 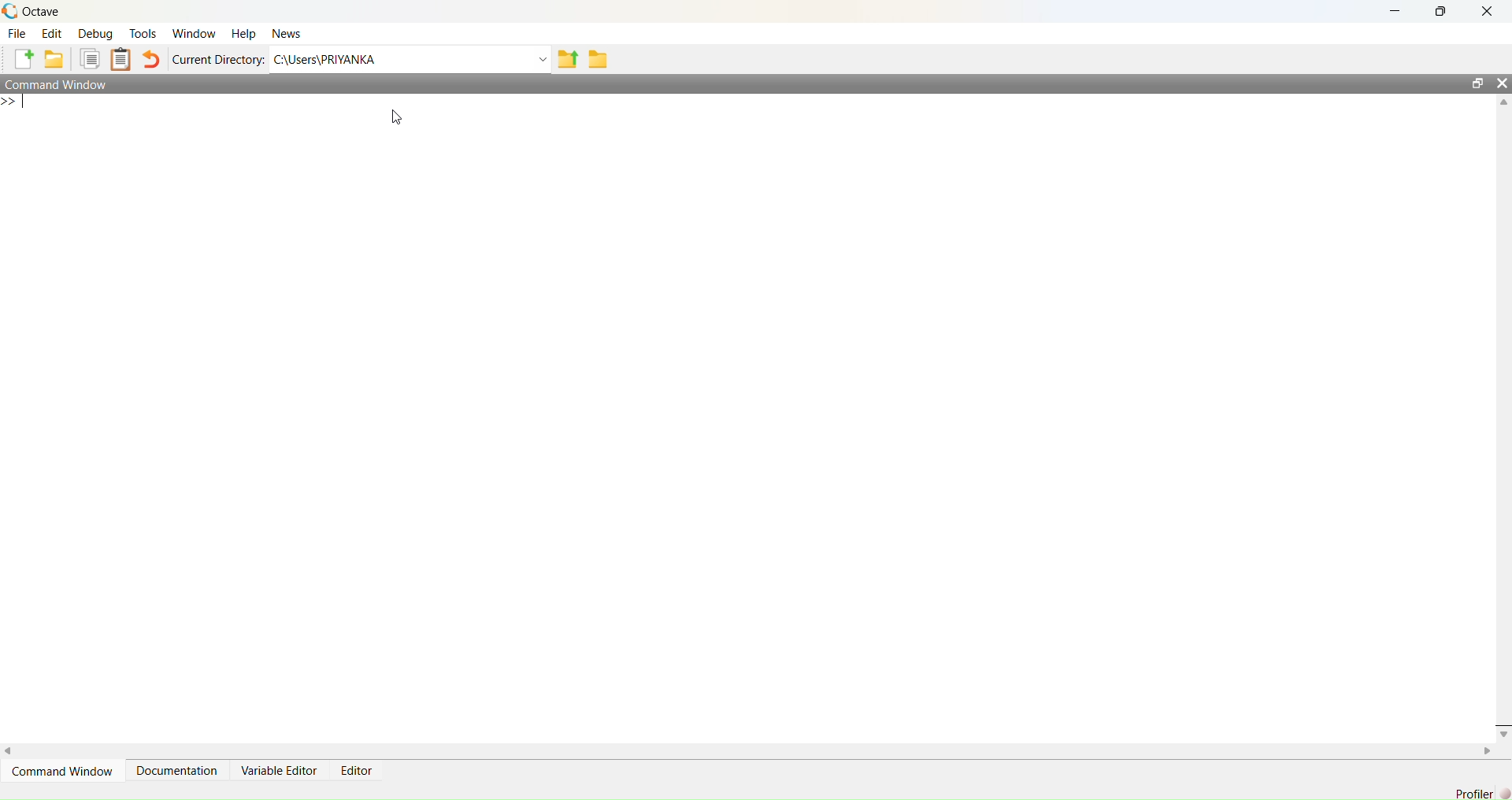 What do you see at coordinates (391, 118) in the screenshot?
I see `Cursor` at bounding box center [391, 118].